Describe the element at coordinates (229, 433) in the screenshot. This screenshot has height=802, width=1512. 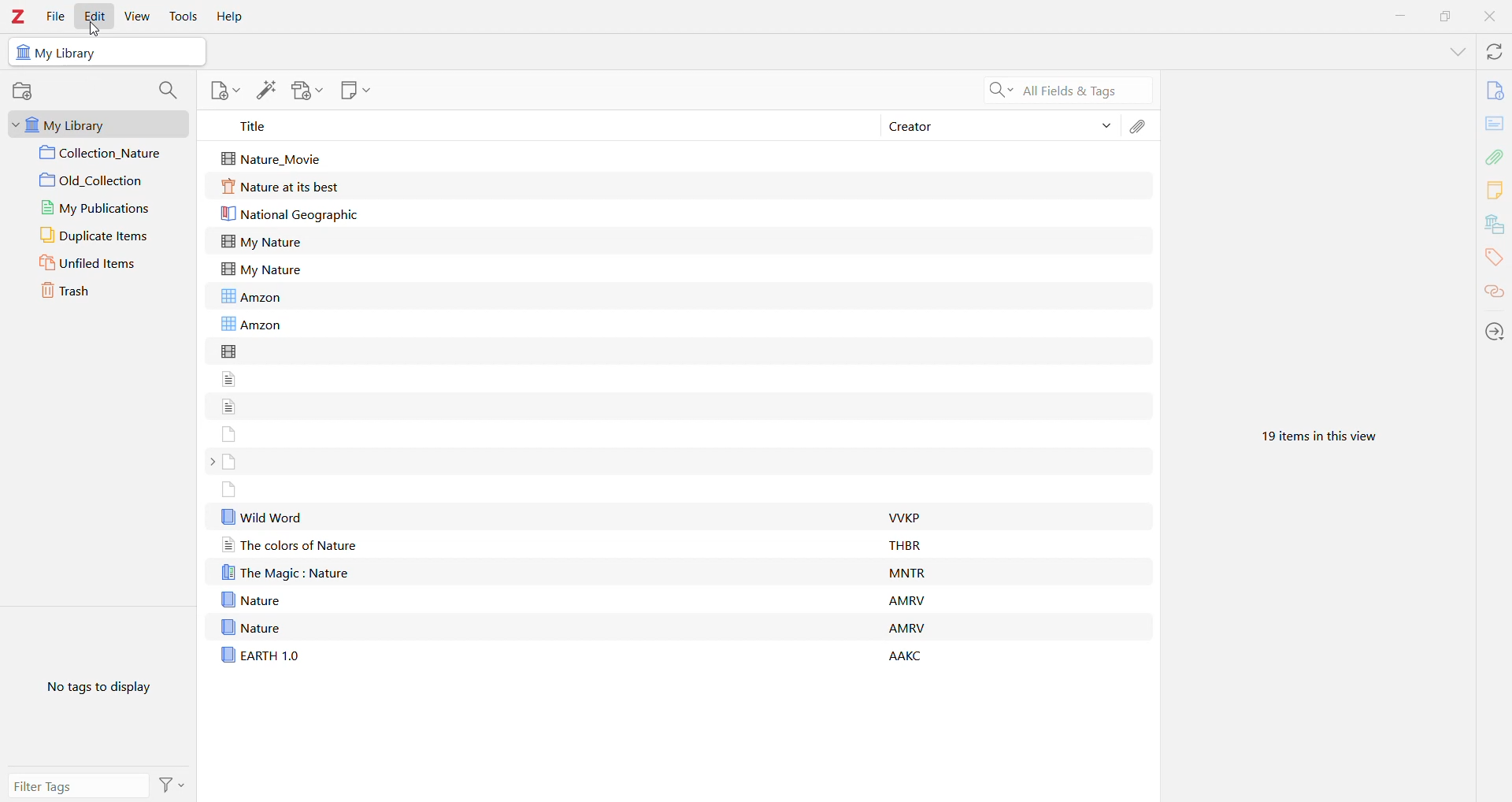
I see `file without title` at that location.